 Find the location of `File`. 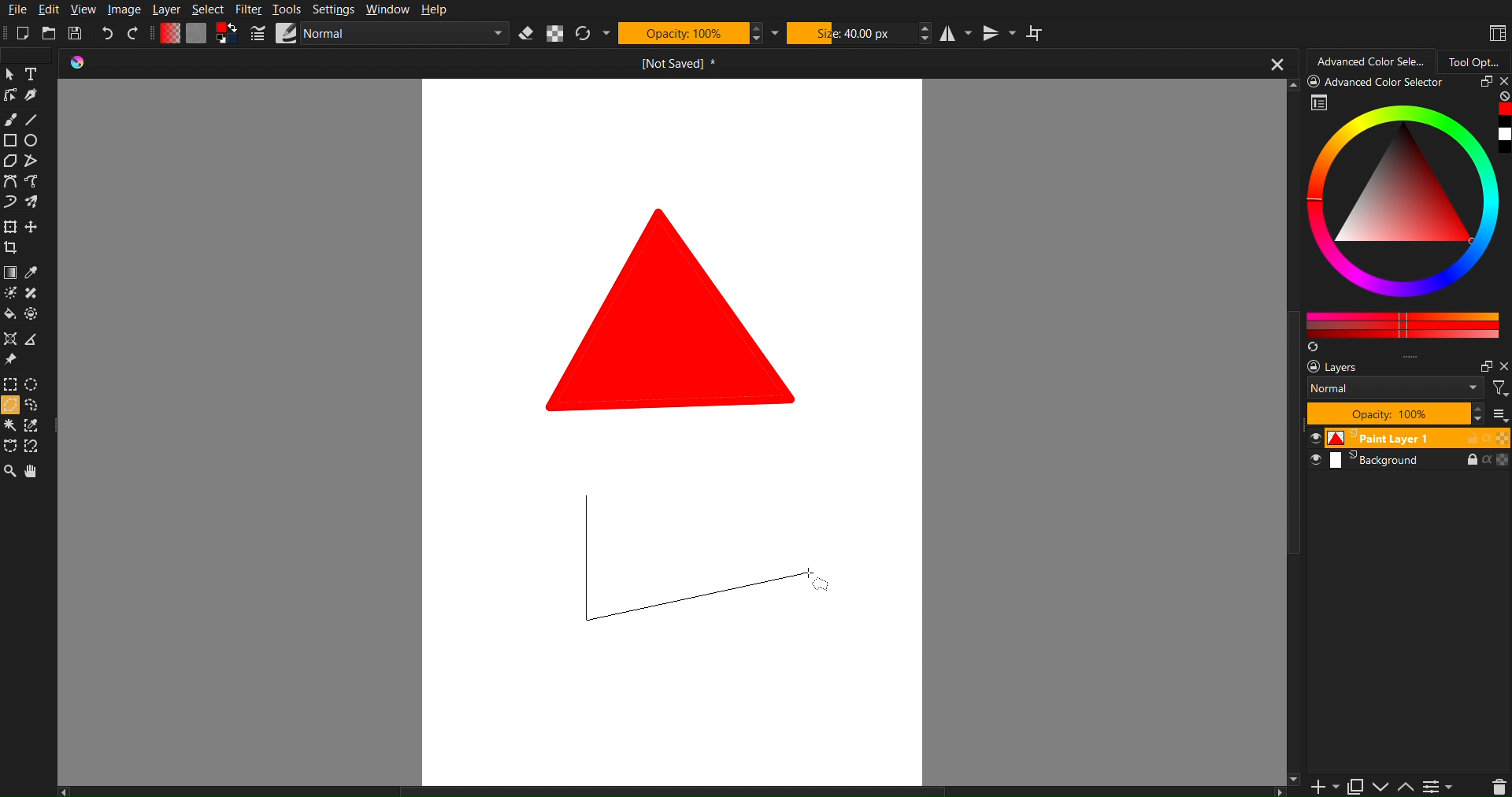

File is located at coordinates (15, 9).